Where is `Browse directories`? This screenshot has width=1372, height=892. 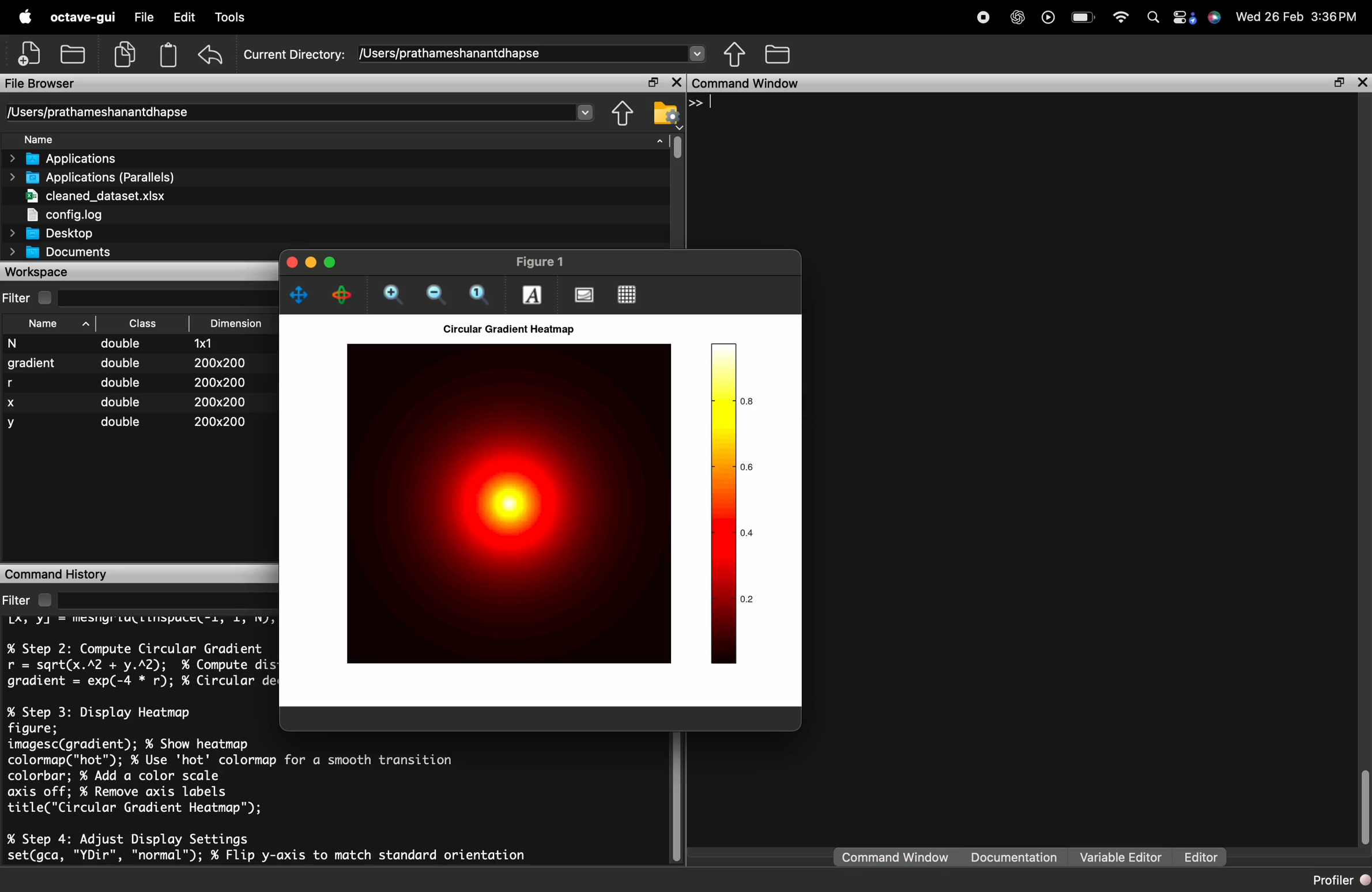 Browse directories is located at coordinates (735, 55).